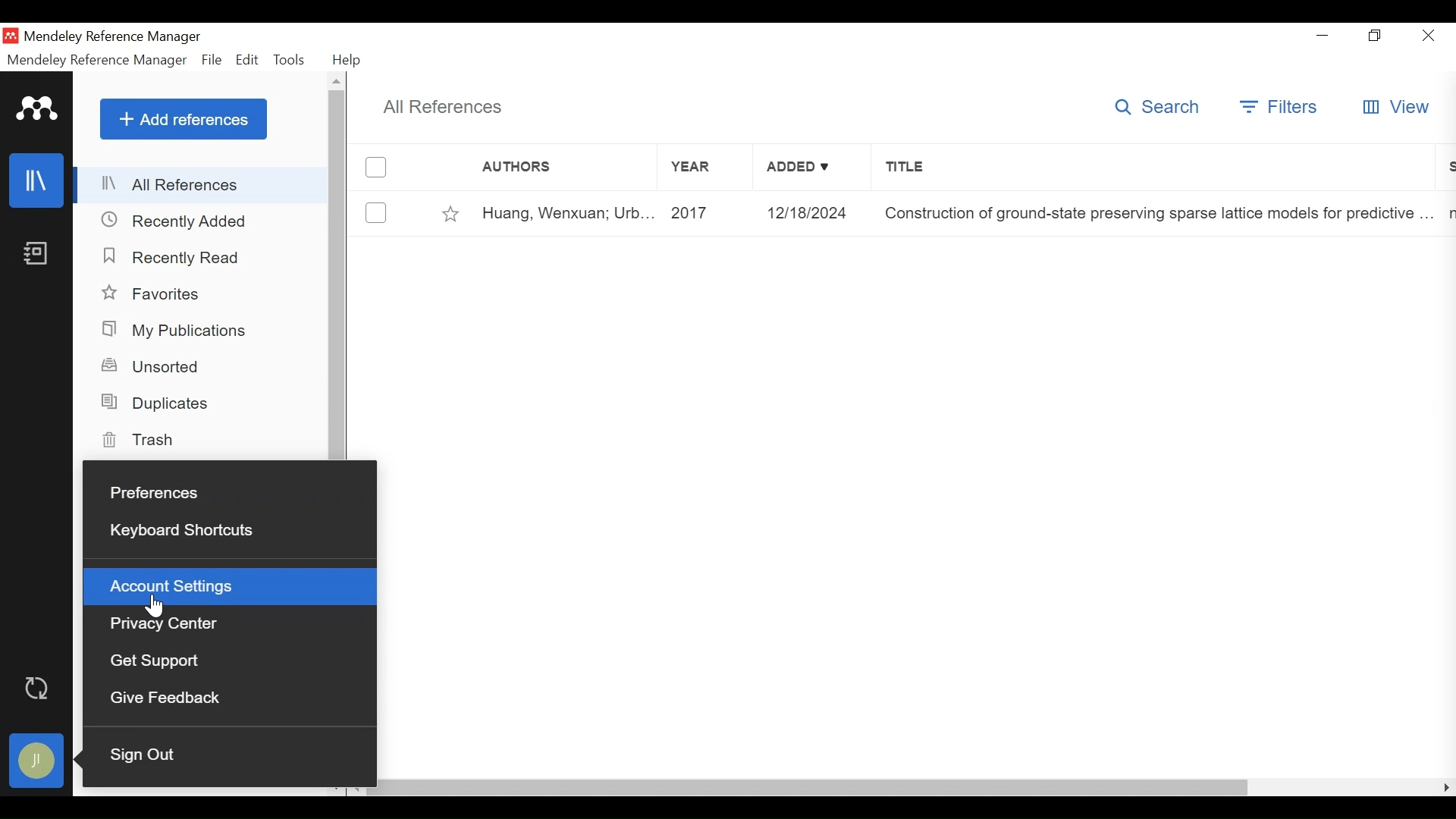 This screenshot has width=1456, height=819. Describe the element at coordinates (374, 167) in the screenshot. I see `(un)select` at that location.